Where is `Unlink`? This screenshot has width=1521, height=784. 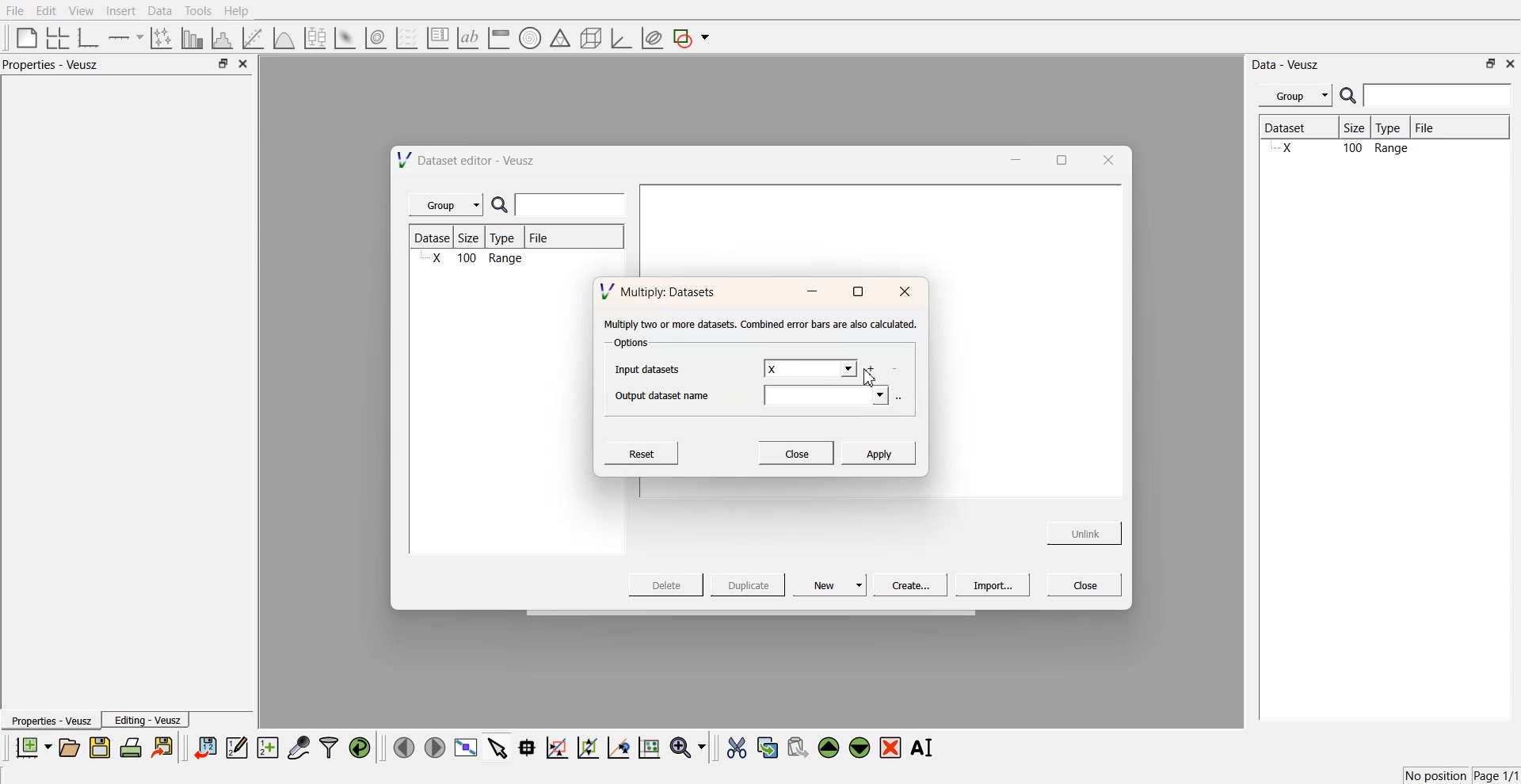
Unlink is located at coordinates (1085, 531).